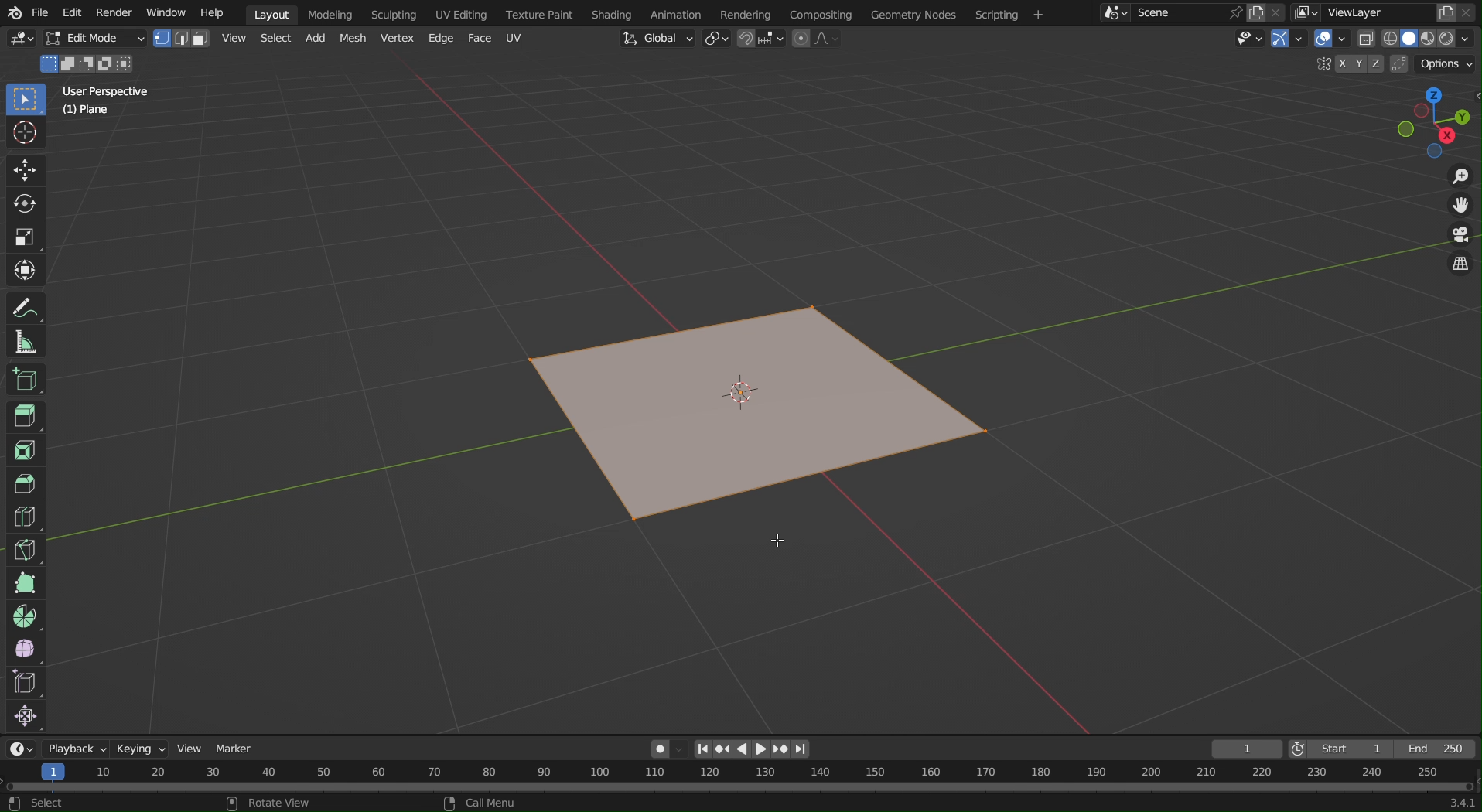 The width and height of the screenshot is (1482, 812). Describe the element at coordinates (1171, 12) in the screenshot. I see `Scene` at that location.